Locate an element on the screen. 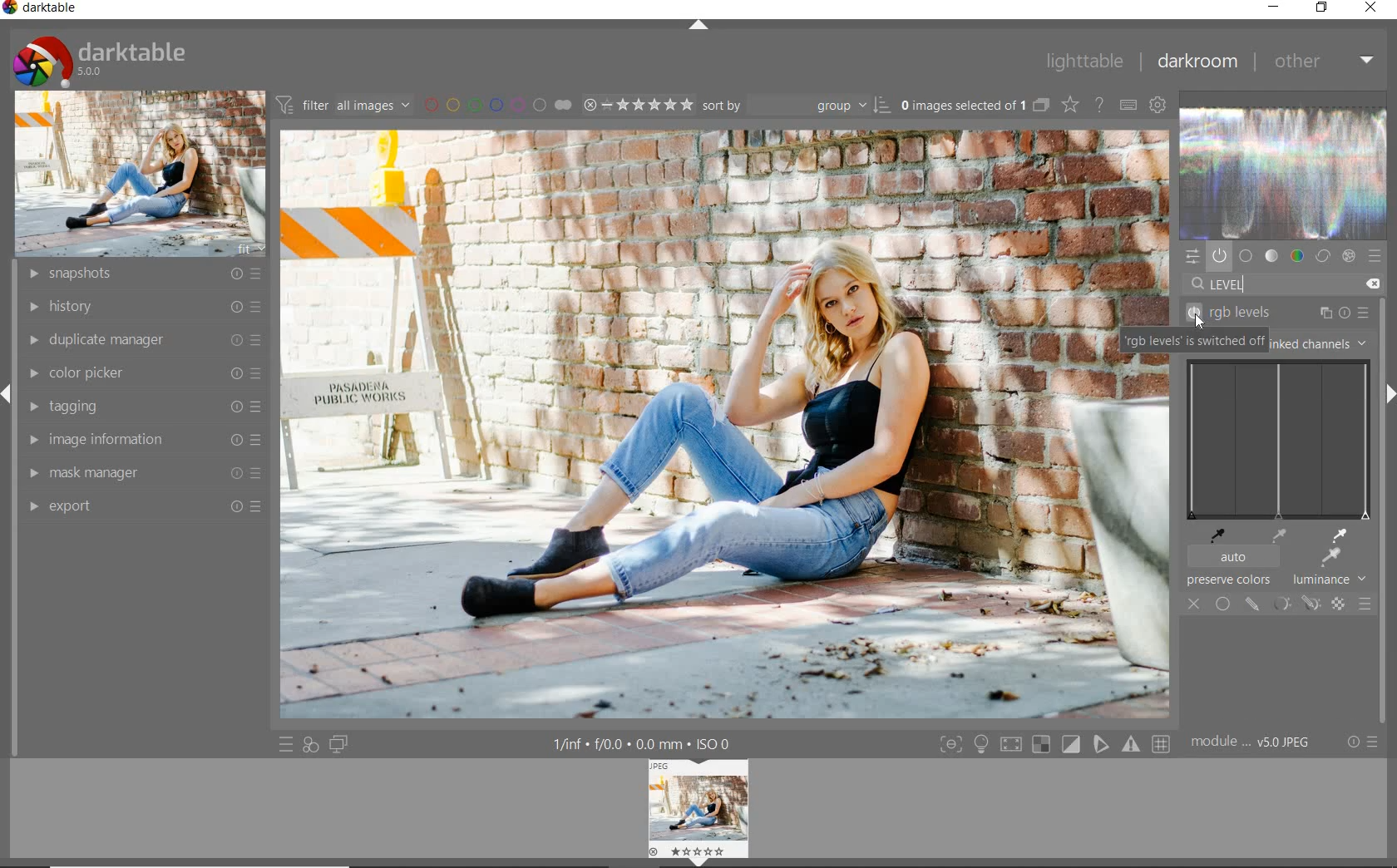 The height and width of the screenshot is (868, 1397). reset or presets & preferences is located at coordinates (1365, 742).